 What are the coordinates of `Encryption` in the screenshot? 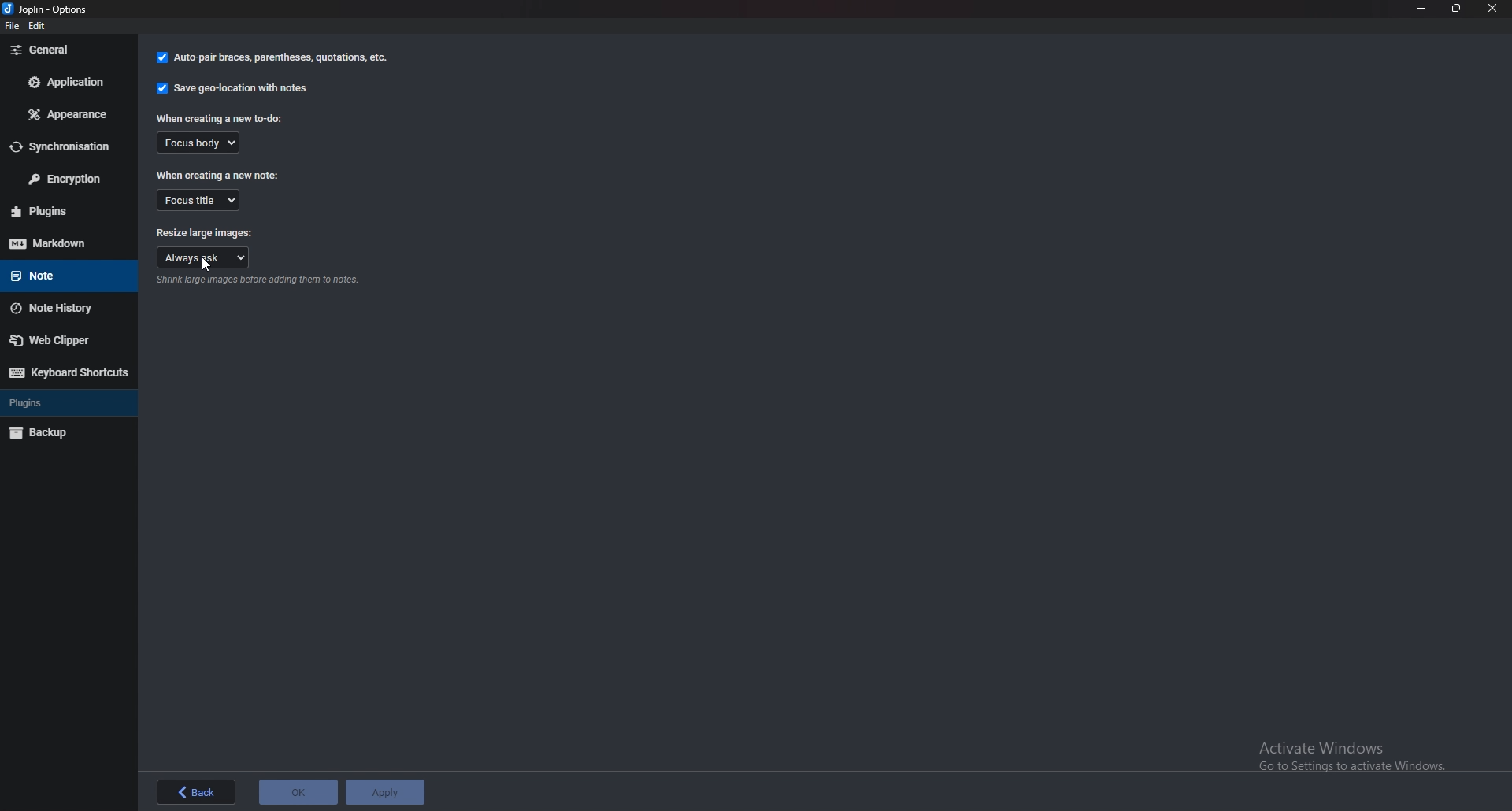 It's located at (69, 180).